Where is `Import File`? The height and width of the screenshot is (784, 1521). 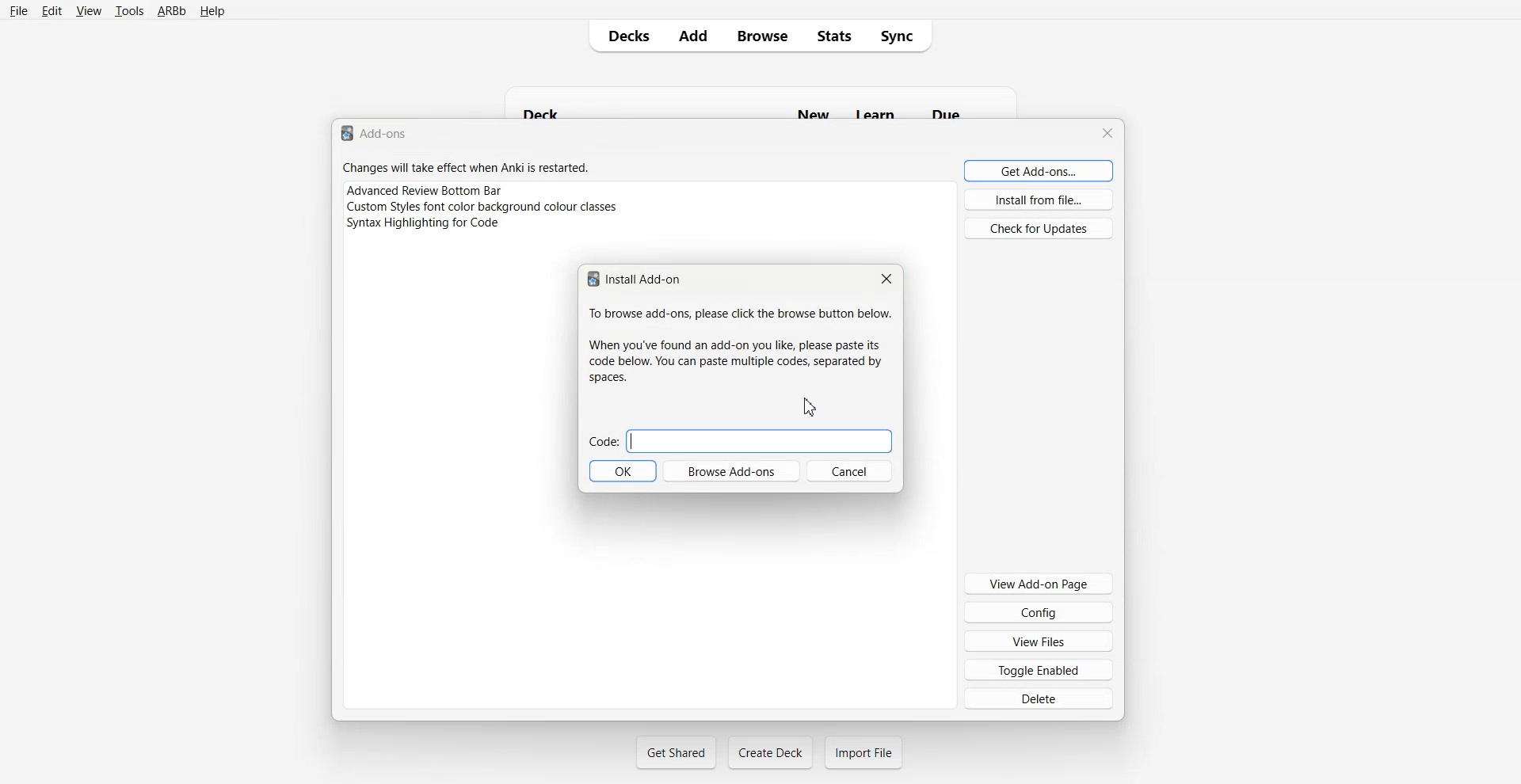 Import File is located at coordinates (863, 752).